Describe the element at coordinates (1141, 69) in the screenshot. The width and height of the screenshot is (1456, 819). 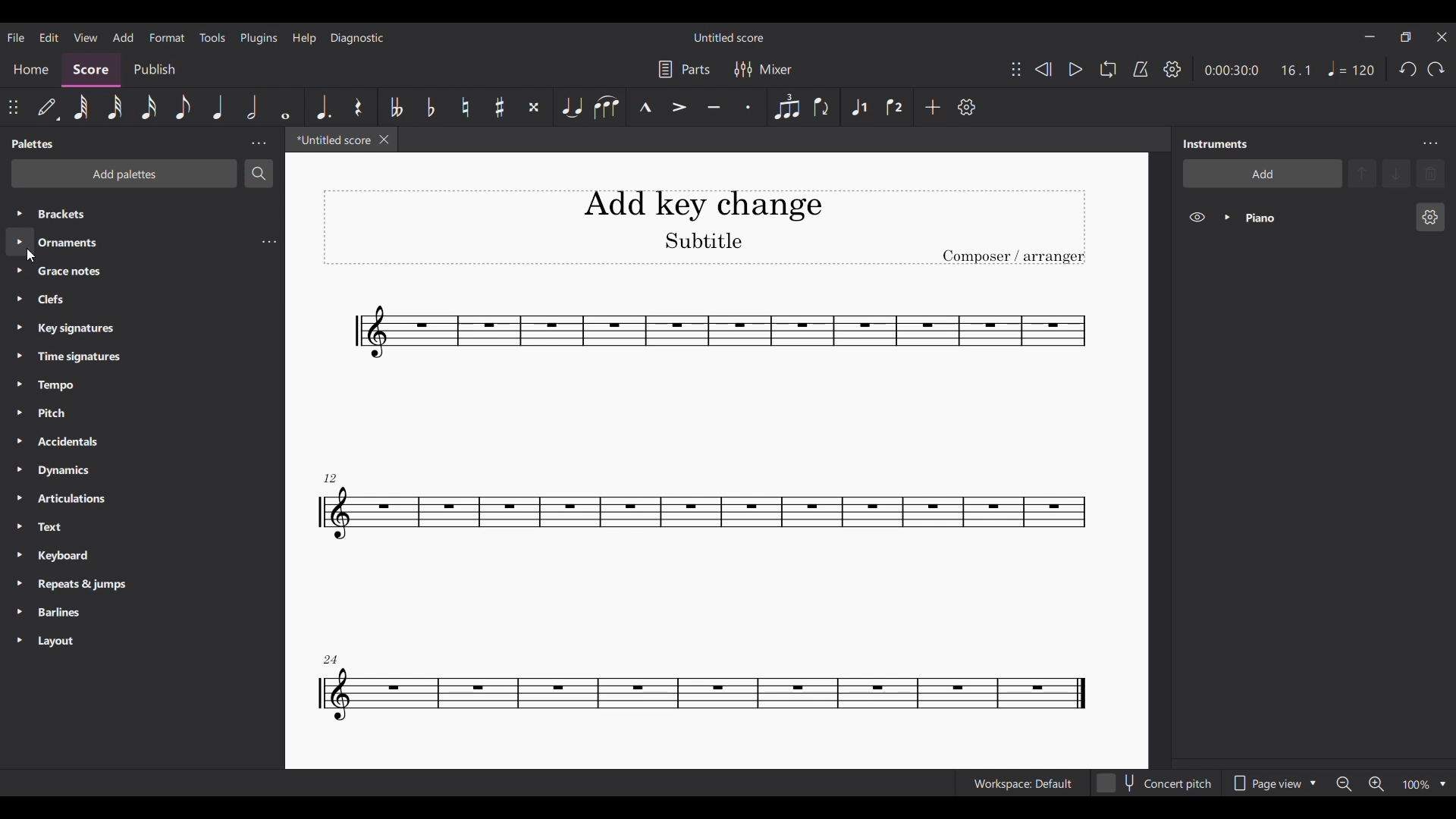
I see `Metronome` at that location.